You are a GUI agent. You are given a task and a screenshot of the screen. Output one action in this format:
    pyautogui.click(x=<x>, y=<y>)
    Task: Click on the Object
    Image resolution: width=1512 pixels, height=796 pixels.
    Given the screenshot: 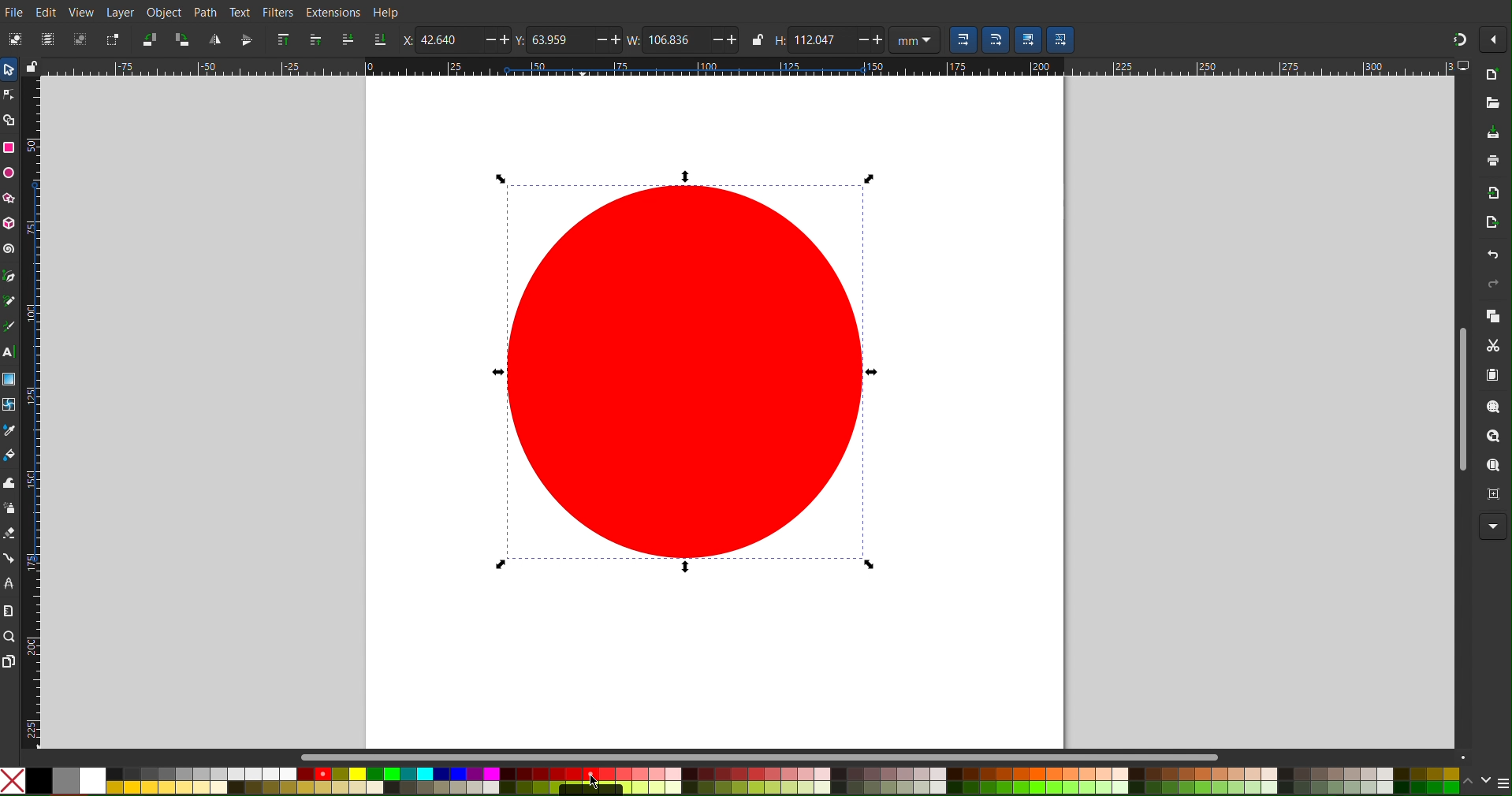 What is the action you would take?
    pyautogui.click(x=163, y=11)
    